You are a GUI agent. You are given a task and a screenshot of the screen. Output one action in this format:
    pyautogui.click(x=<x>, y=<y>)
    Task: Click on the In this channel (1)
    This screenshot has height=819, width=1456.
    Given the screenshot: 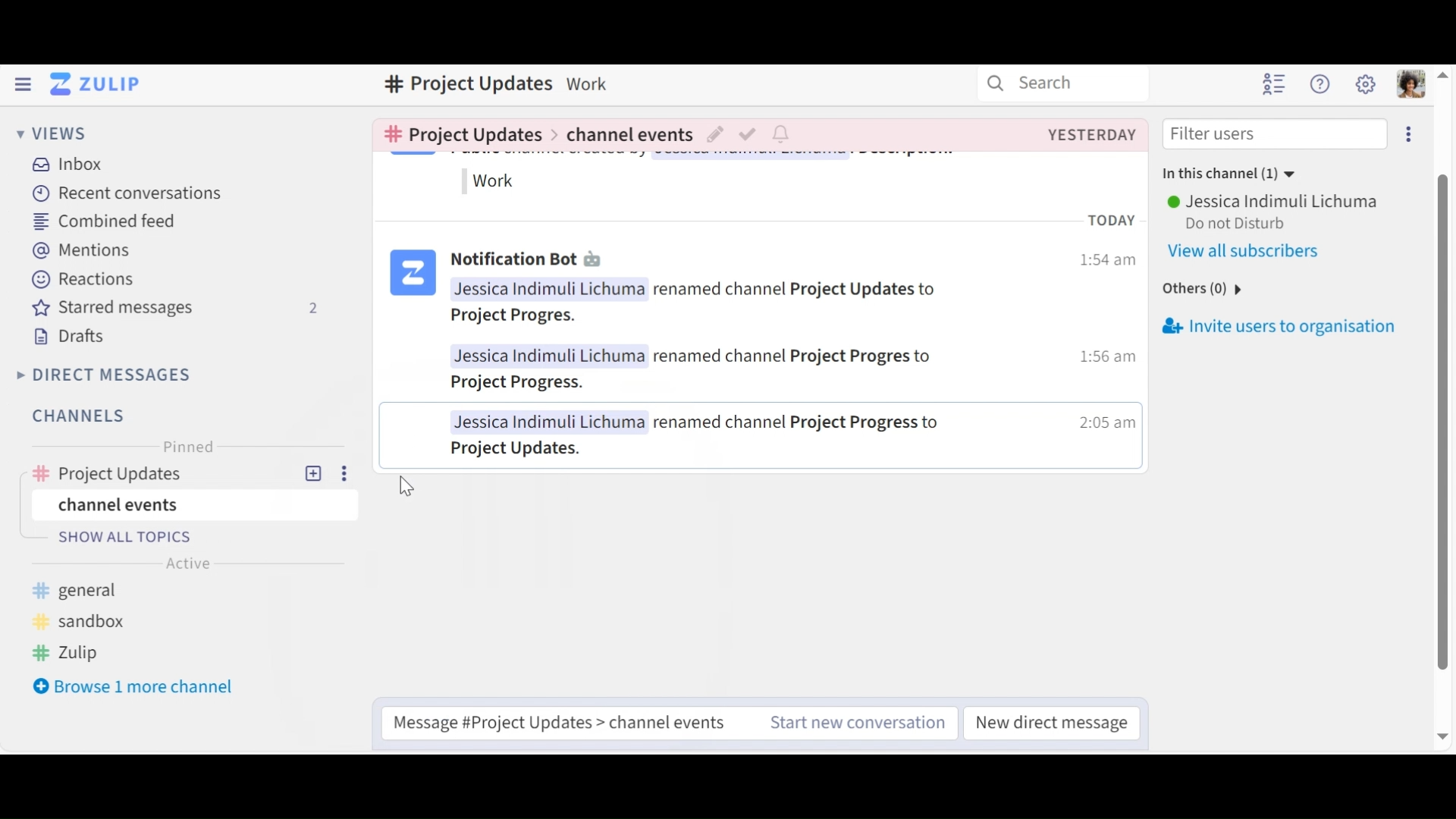 What is the action you would take?
    pyautogui.click(x=1223, y=174)
    